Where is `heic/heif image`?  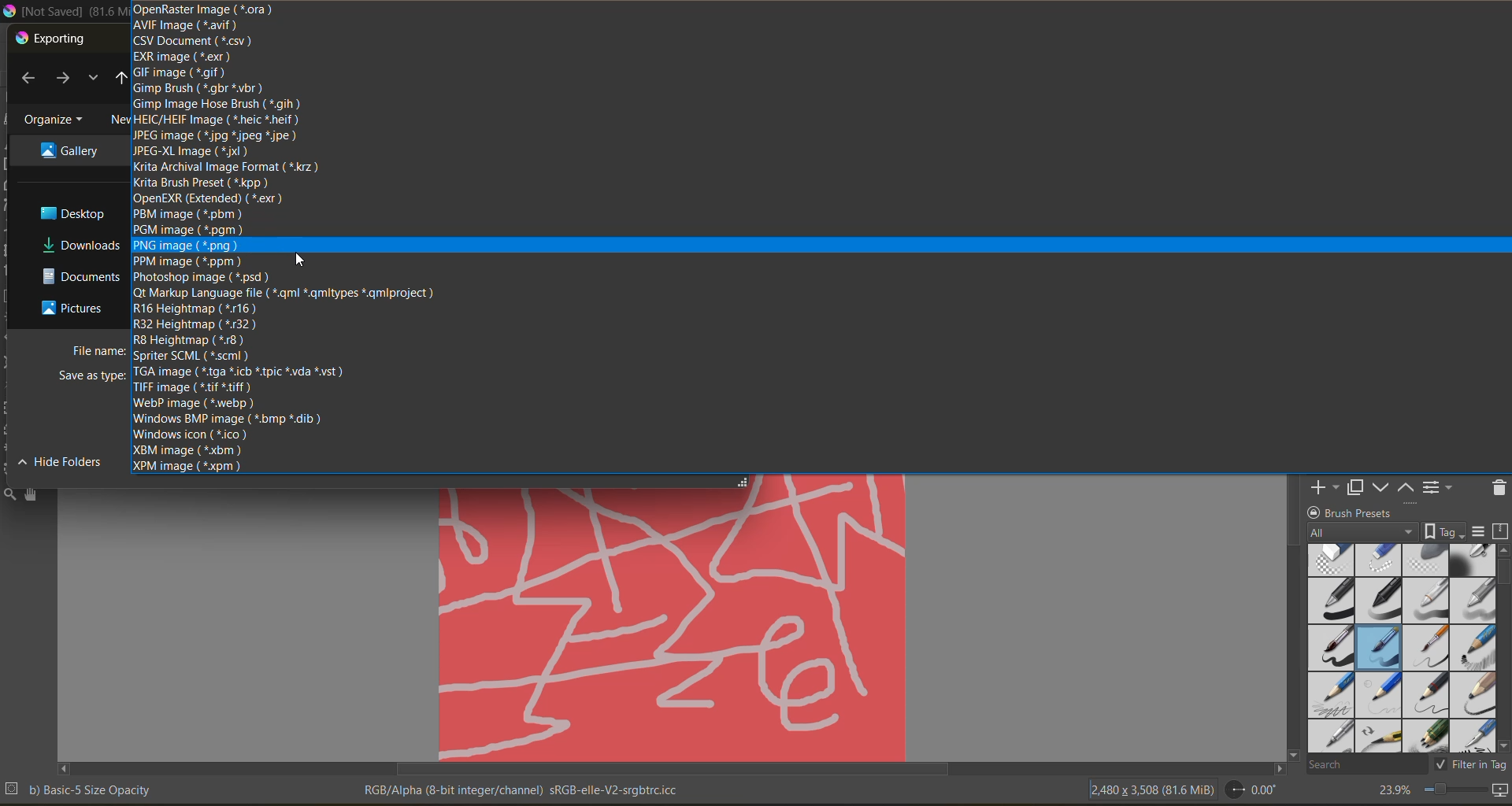
heic/heif image is located at coordinates (220, 120).